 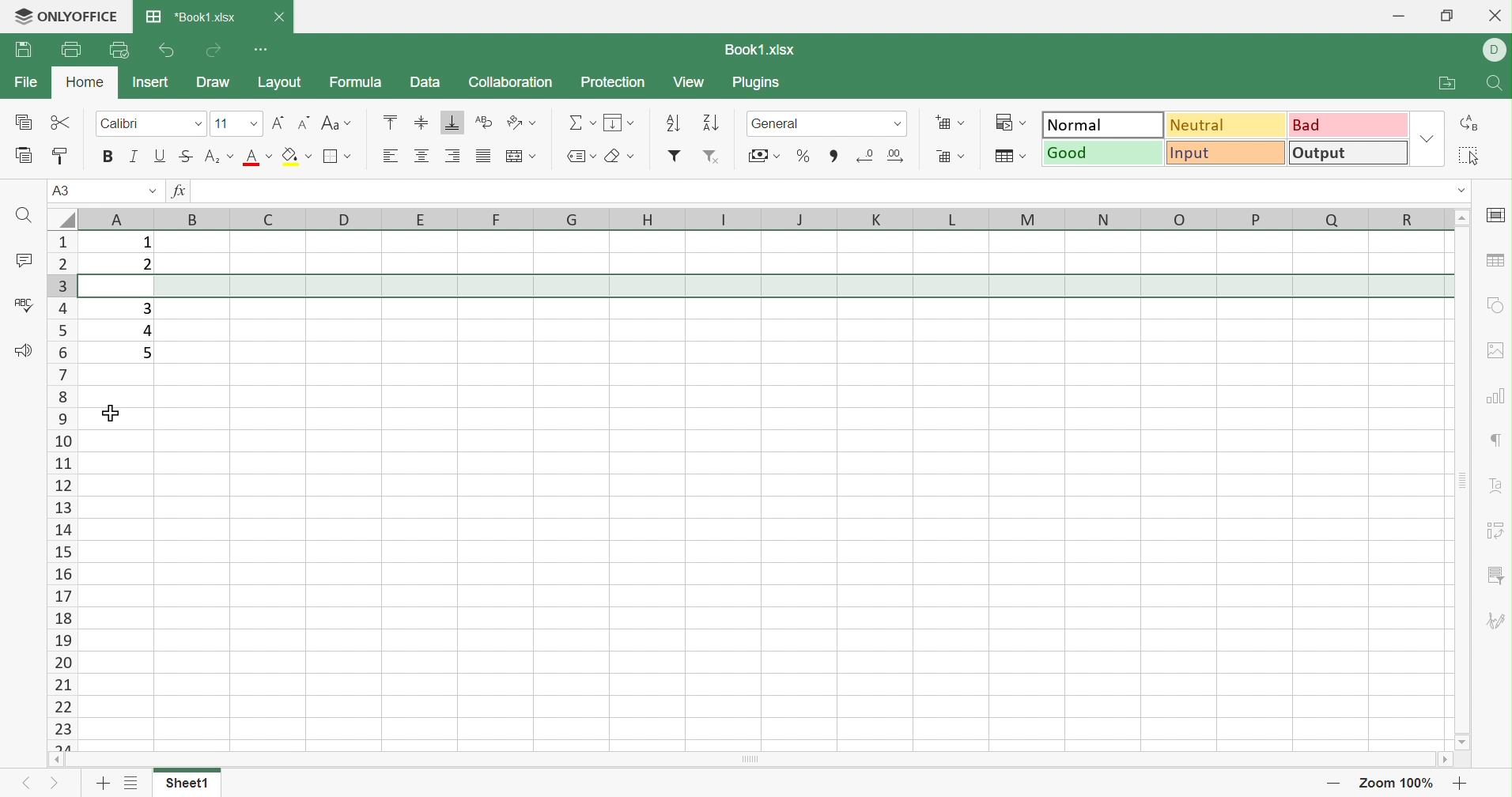 I want to click on Input, so click(x=1226, y=153).